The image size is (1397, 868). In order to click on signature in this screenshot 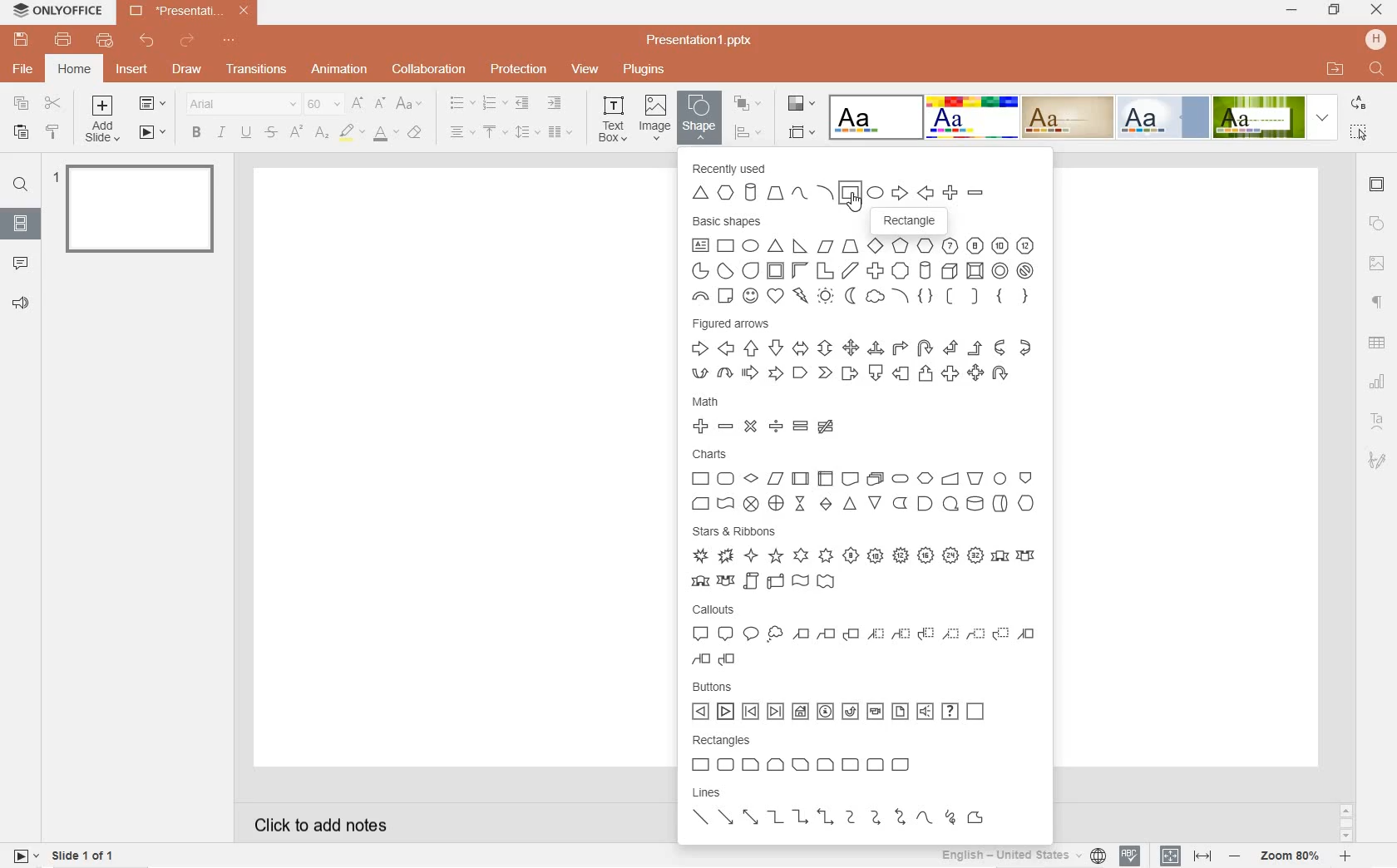, I will do `click(1378, 460)`.